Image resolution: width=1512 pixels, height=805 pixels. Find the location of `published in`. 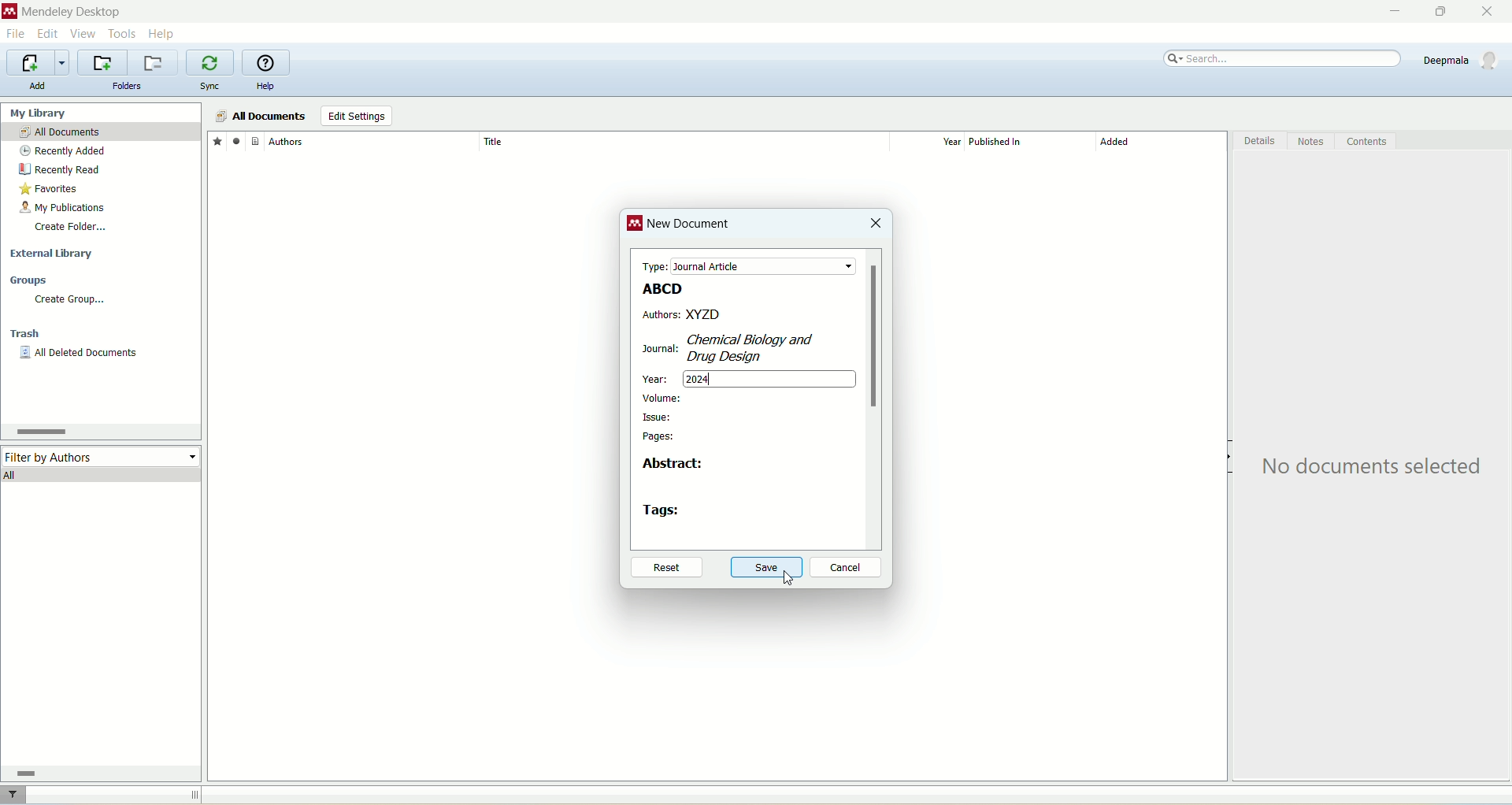

published in is located at coordinates (1024, 142).